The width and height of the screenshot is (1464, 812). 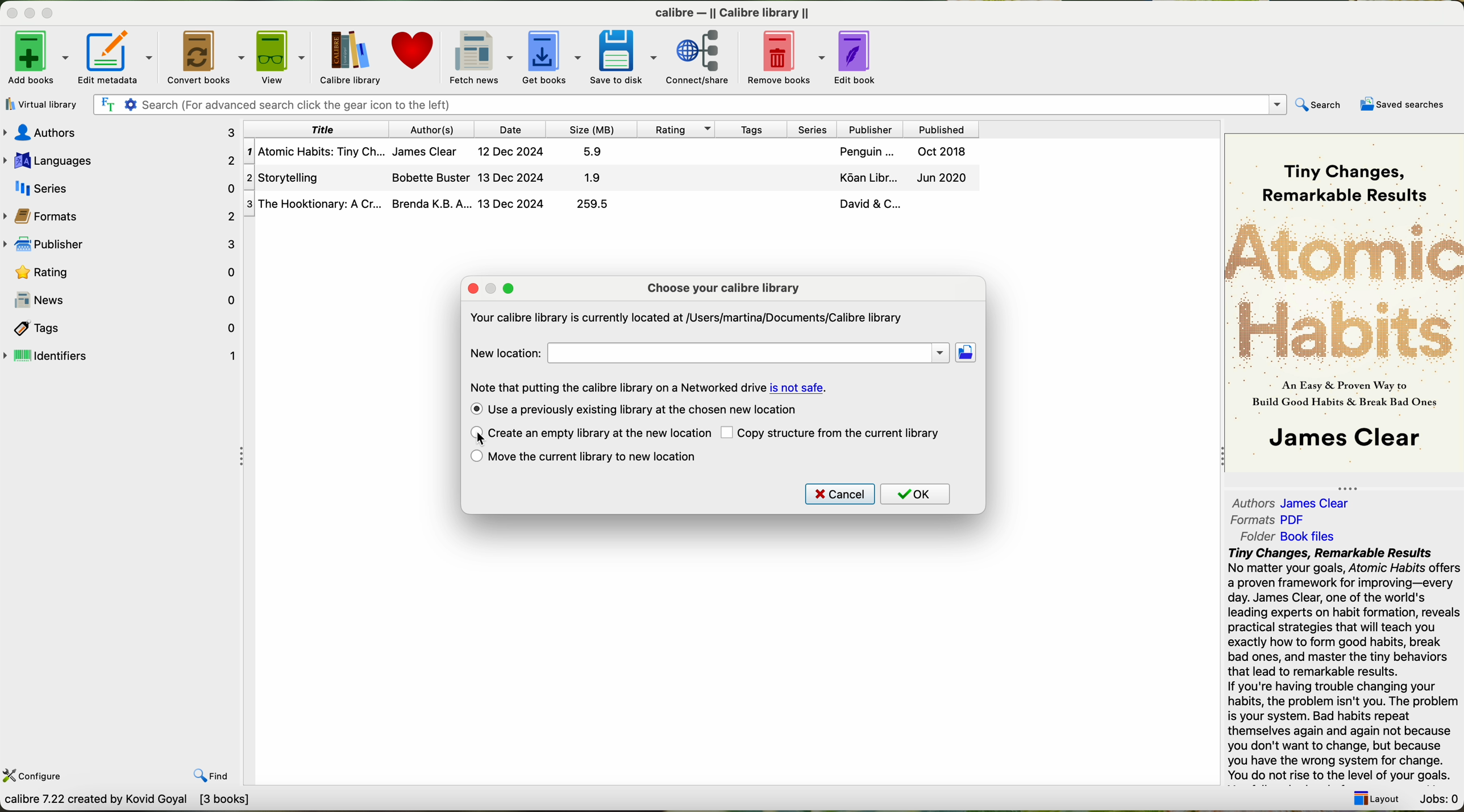 What do you see at coordinates (510, 129) in the screenshot?
I see `date` at bounding box center [510, 129].